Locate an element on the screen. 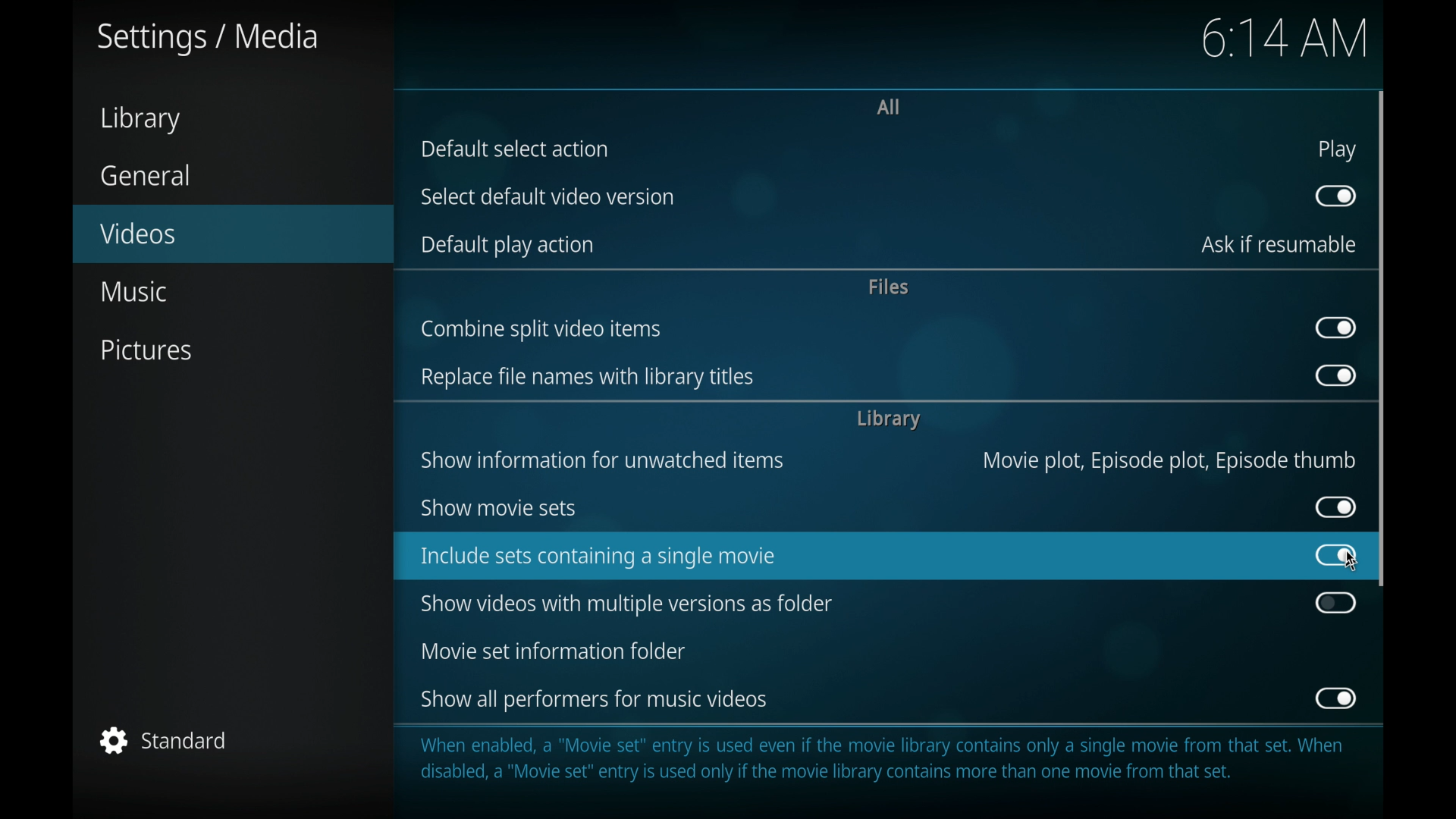  cursor is located at coordinates (1356, 560).